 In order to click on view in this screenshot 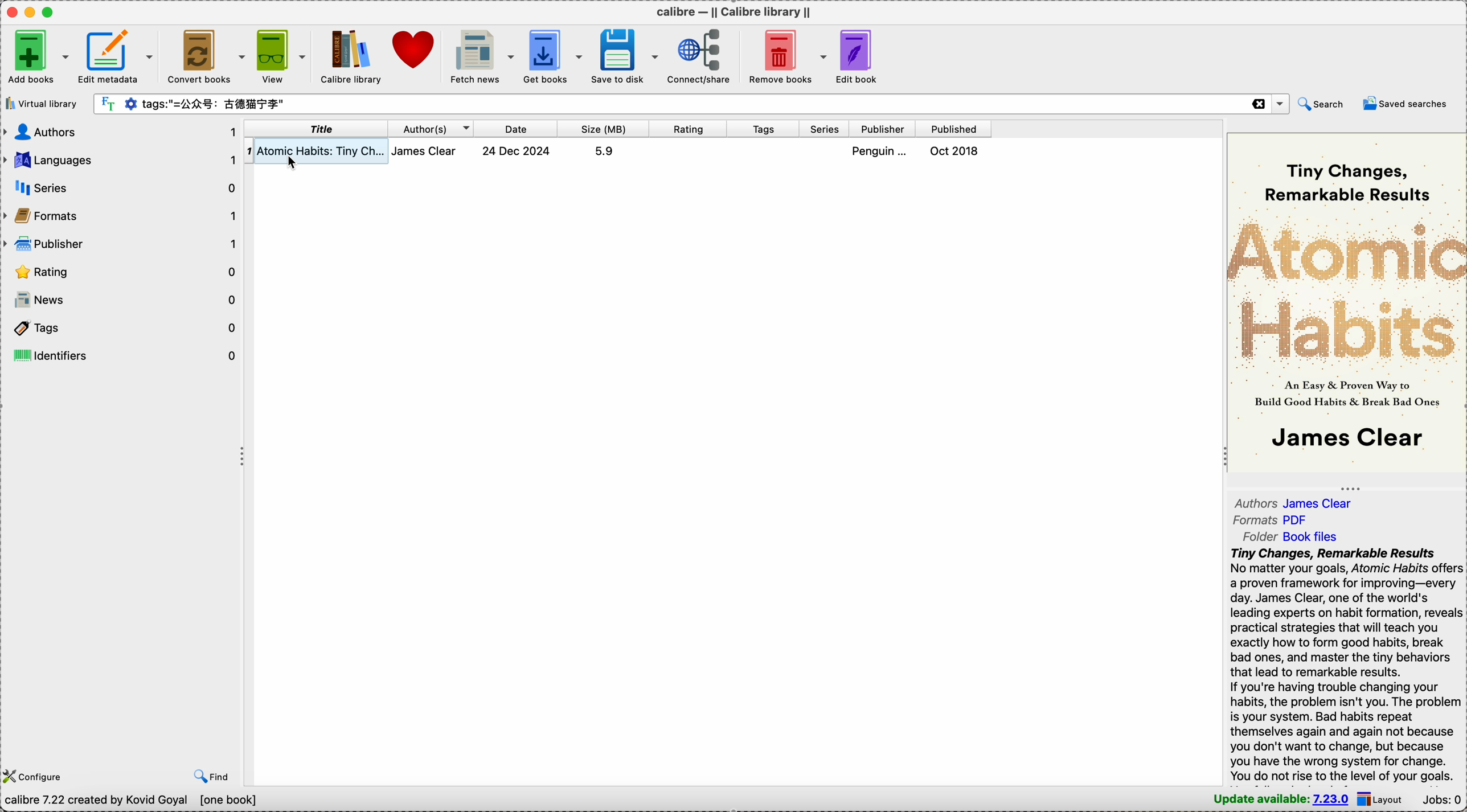, I will do `click(284, 56)`.